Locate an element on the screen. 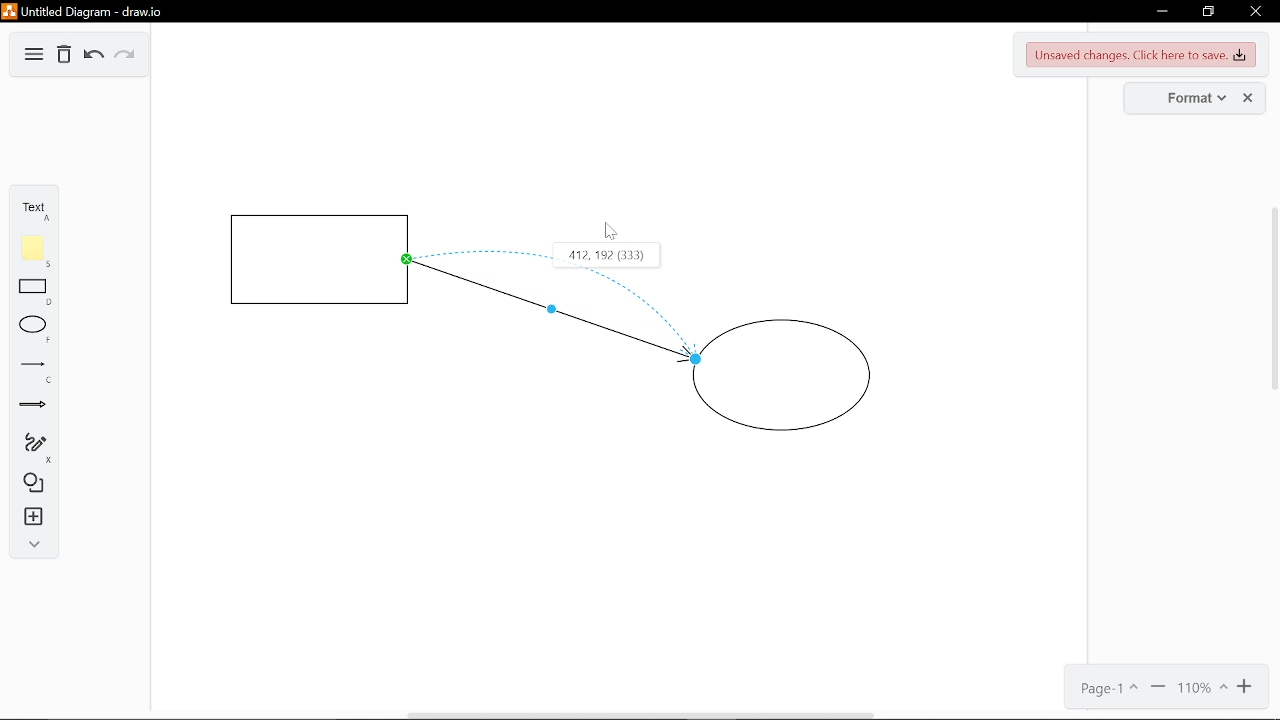 The width and height of the screenshot is (1280, 720). Untitled Diagram-draw.io is located at coordinates (82, 10).